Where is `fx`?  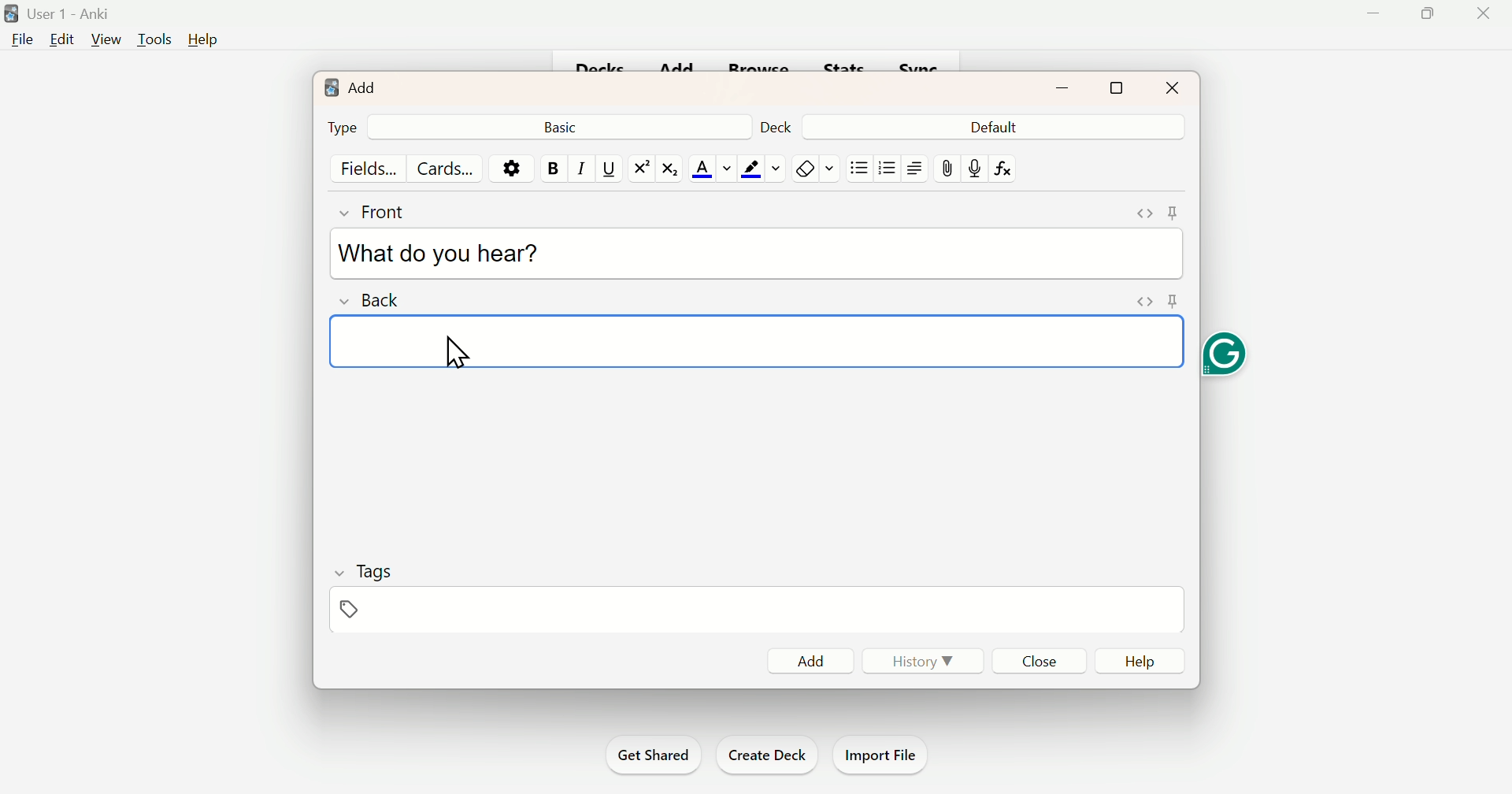 fx is located at coordinates (1009, 168).